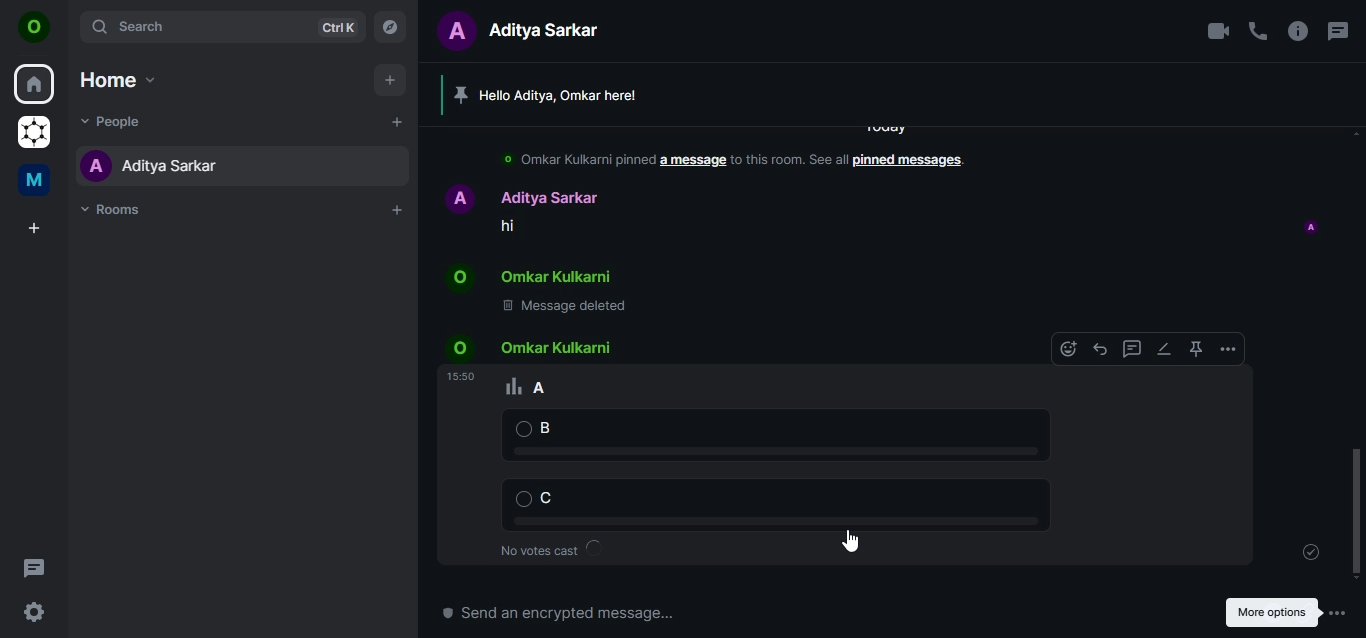 The width and height of the screenshot is (1366, 638). What do you see at coordinates (118, 120) in the screenshot?
I see `people` at bounding box center [118, 120].